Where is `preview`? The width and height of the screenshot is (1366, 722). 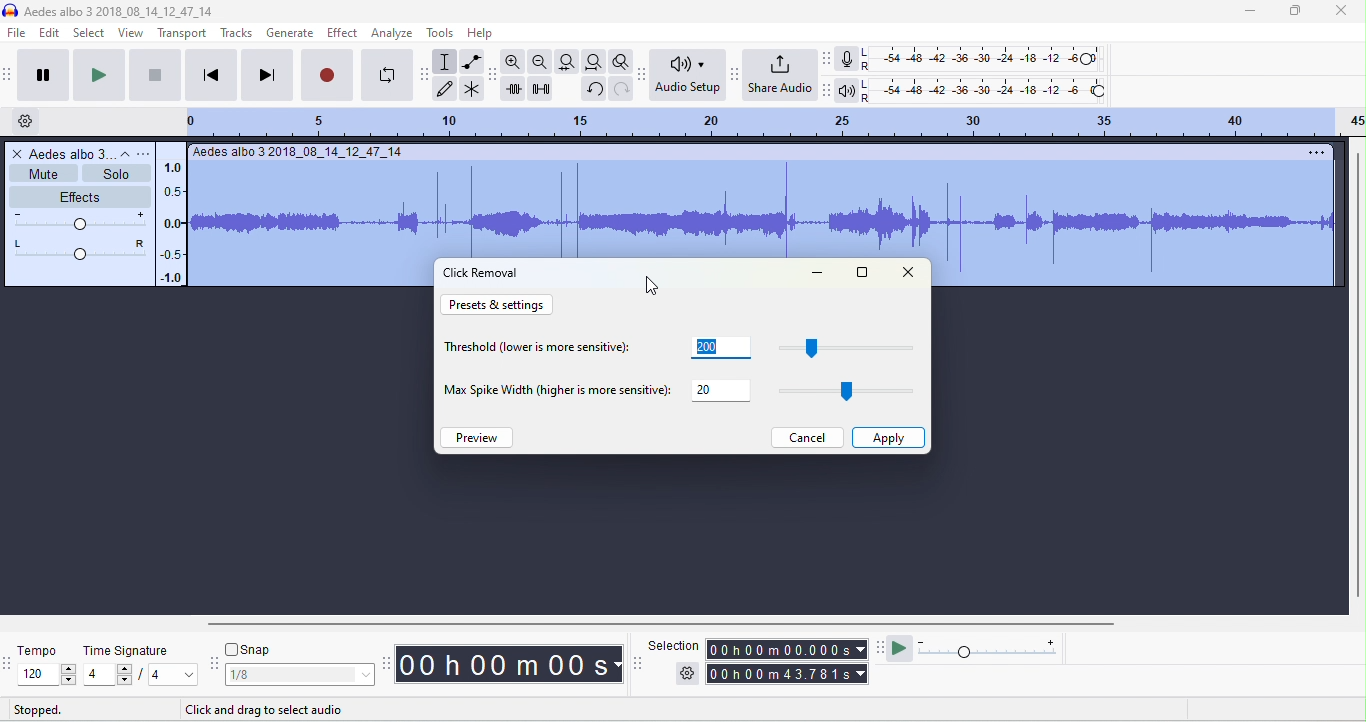 preview is located at coordinates (479, 436).